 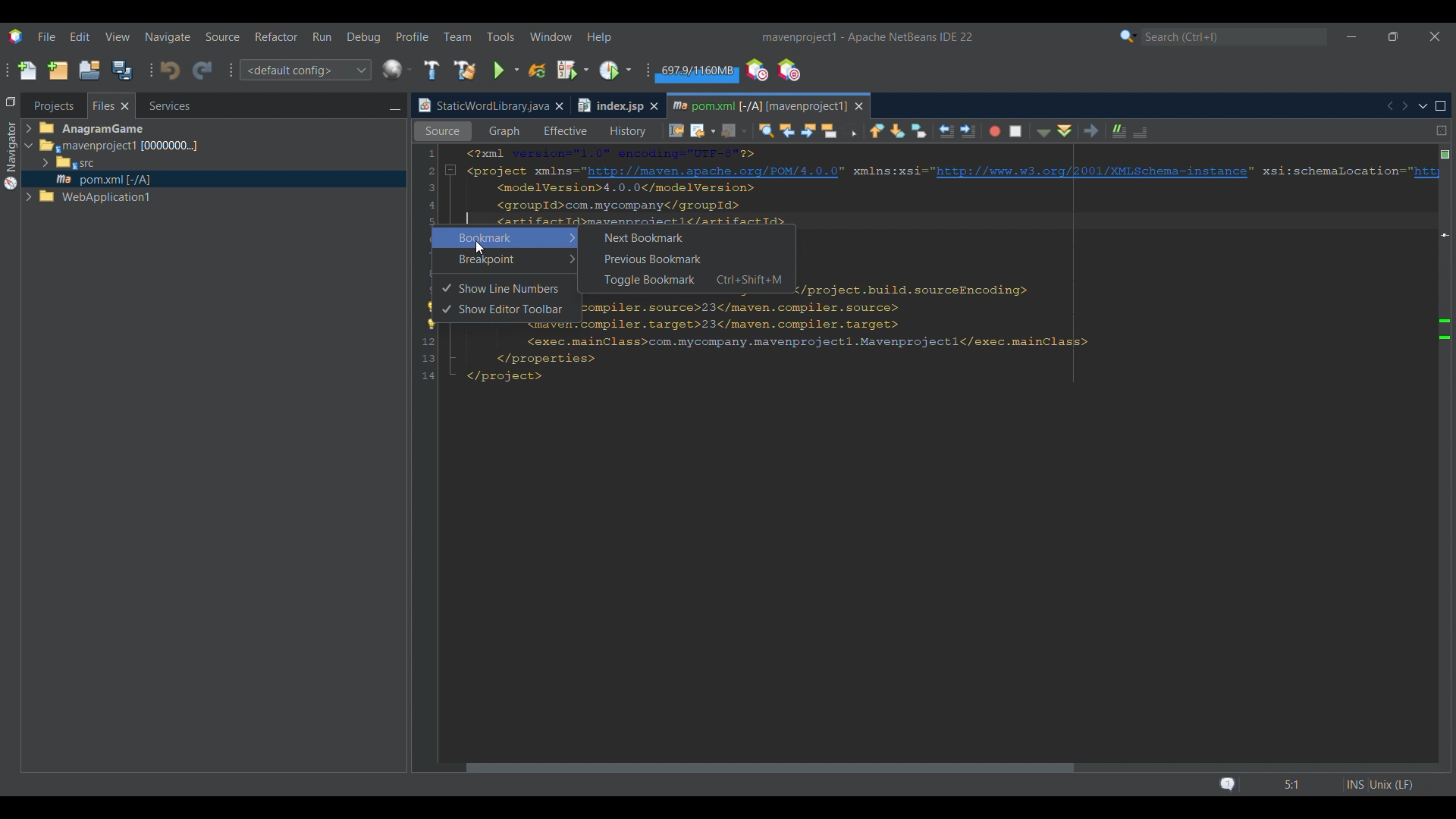 What do you see at coordinates (503, 131) in the screenshot?
I see `Graph view` at bounding box center [503, 131].